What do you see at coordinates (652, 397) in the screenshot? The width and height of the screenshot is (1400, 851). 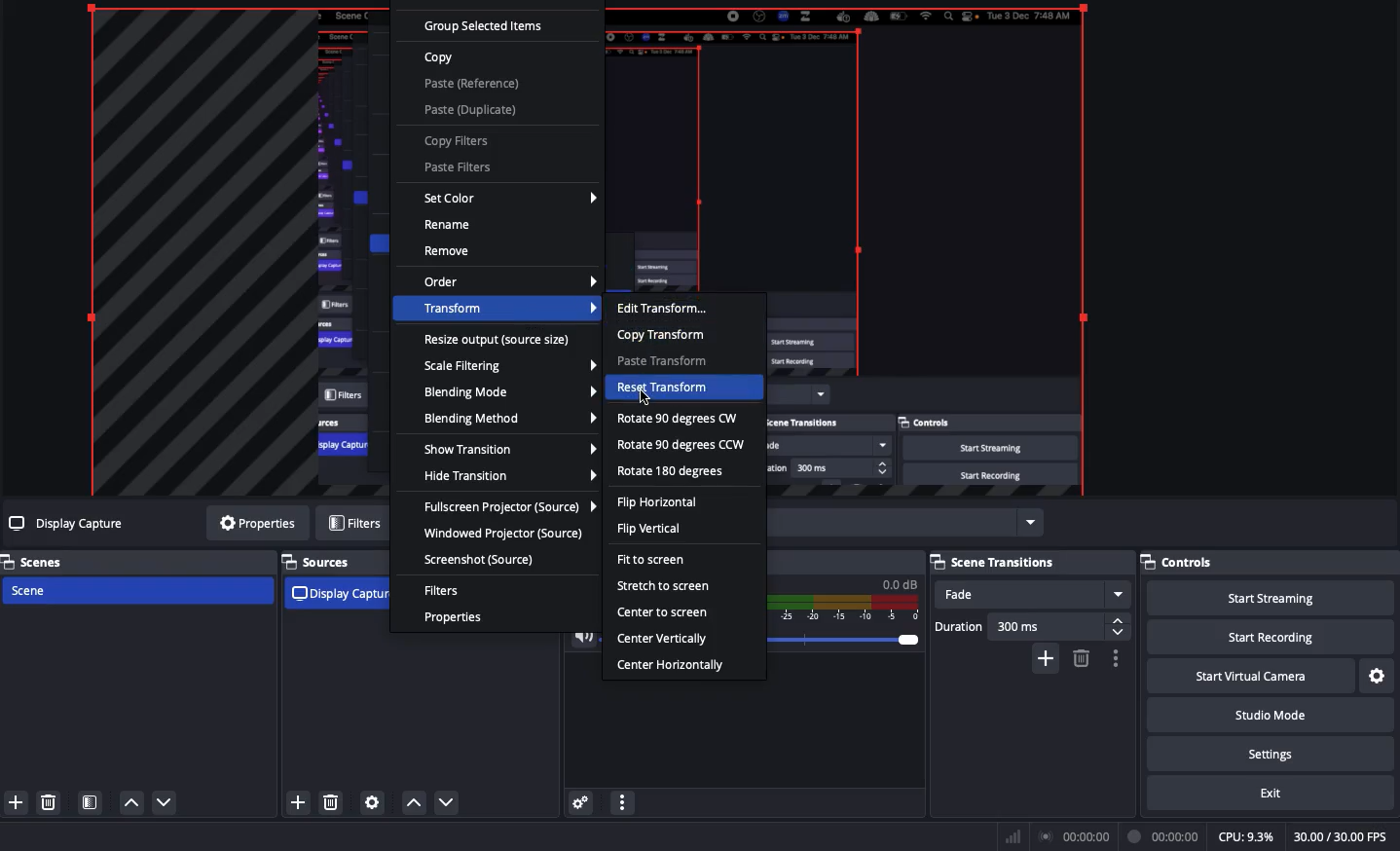 I see `Click` at bounding box center [652, 397].